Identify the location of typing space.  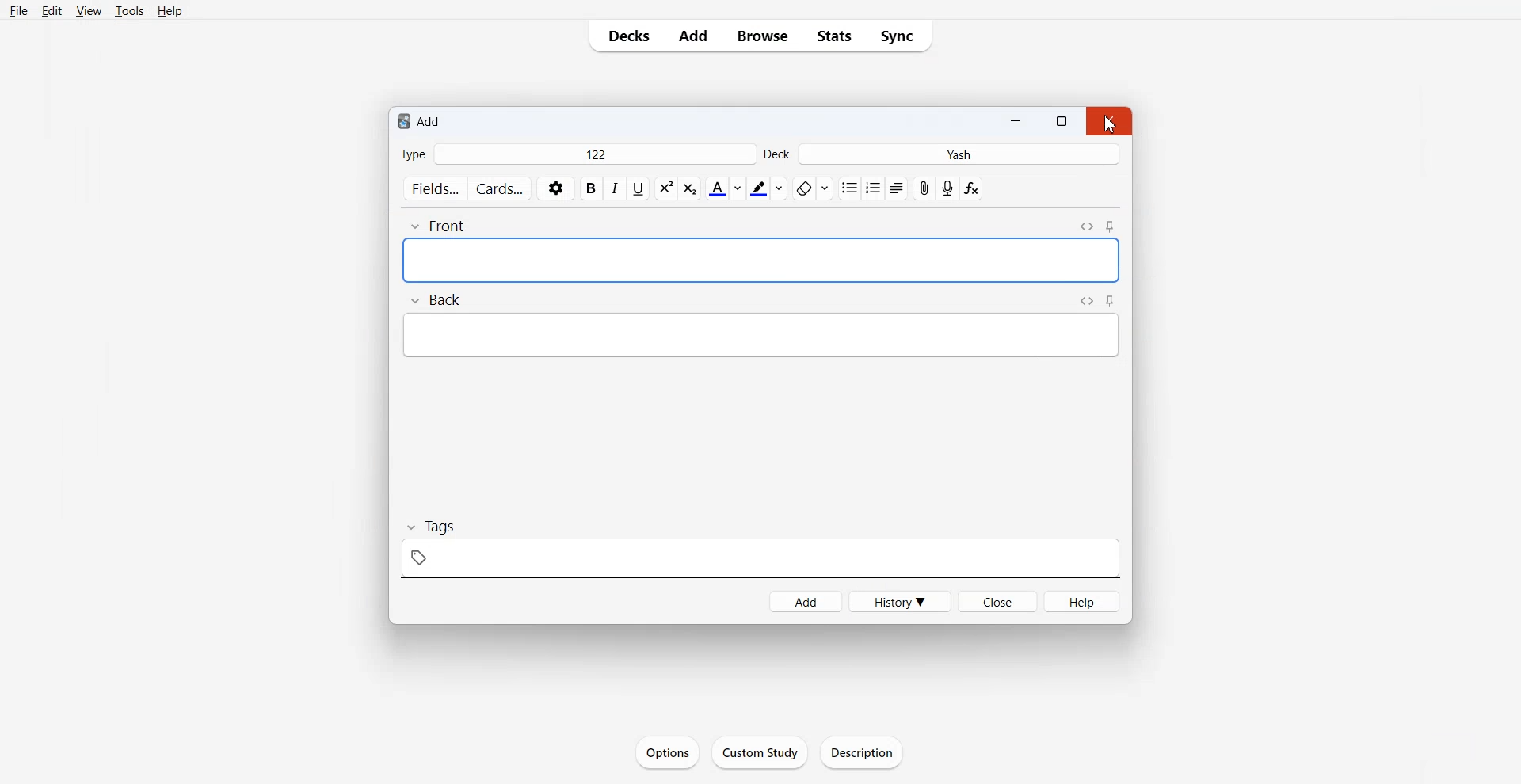
(760, 261).